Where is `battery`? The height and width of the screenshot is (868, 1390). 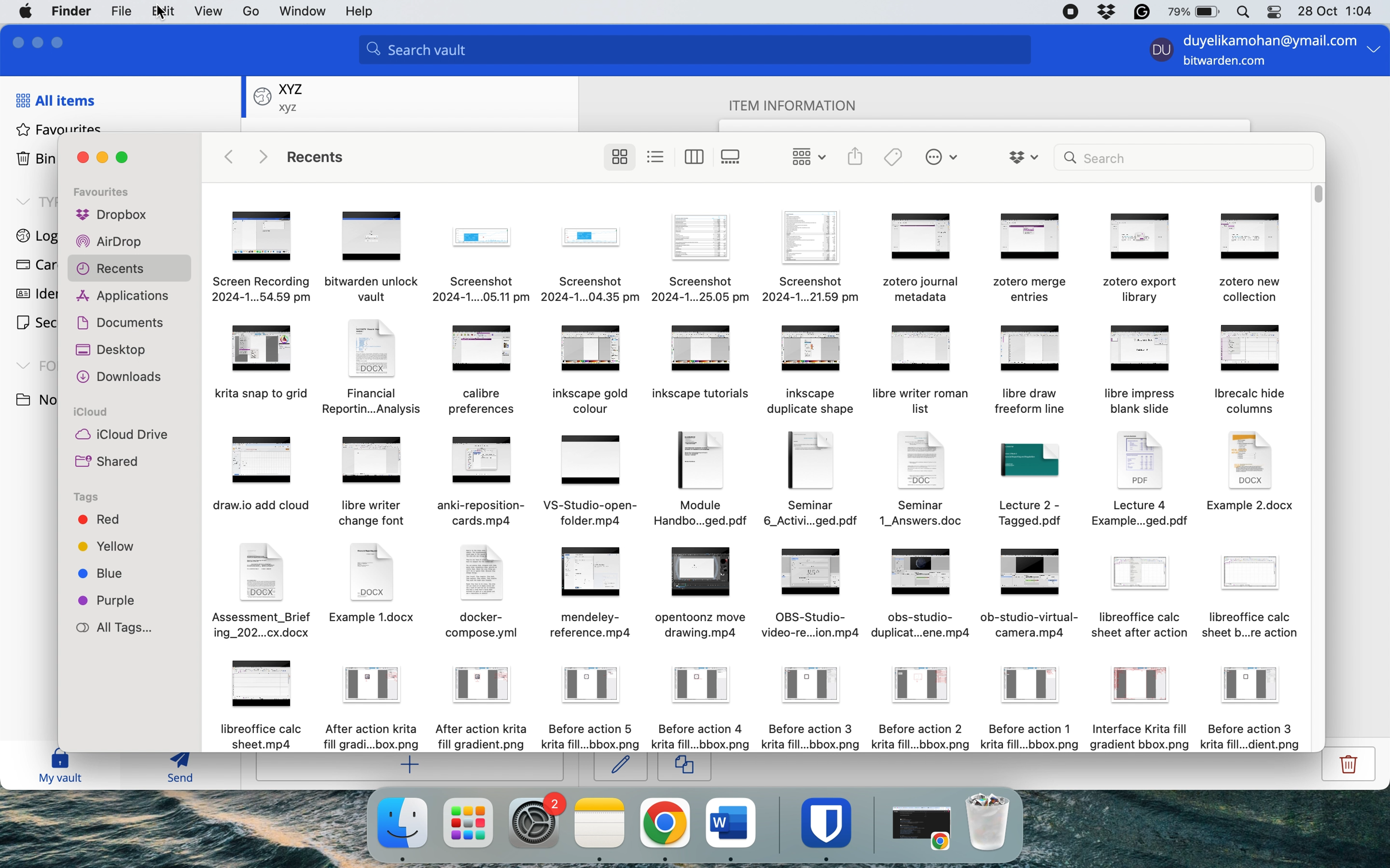 battery is located at coordinates (1190, 12).